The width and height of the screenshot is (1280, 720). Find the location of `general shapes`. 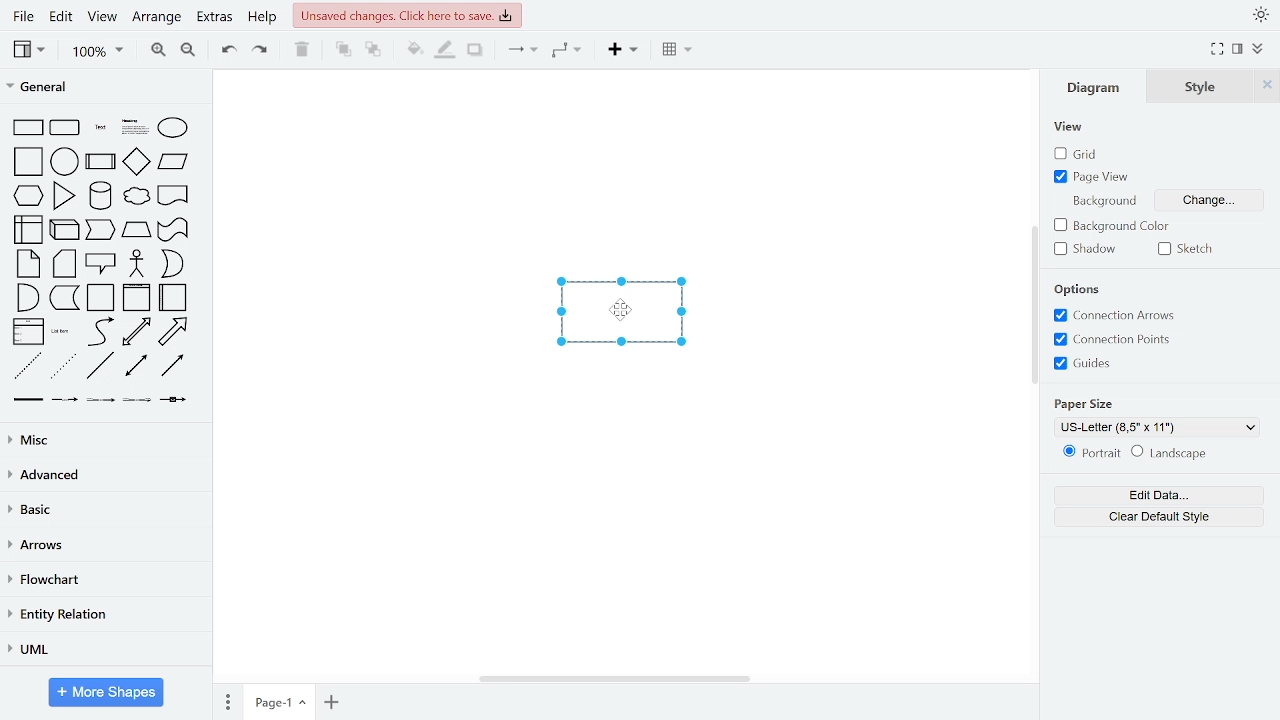

general shapes is located at coordinates (101, 263).